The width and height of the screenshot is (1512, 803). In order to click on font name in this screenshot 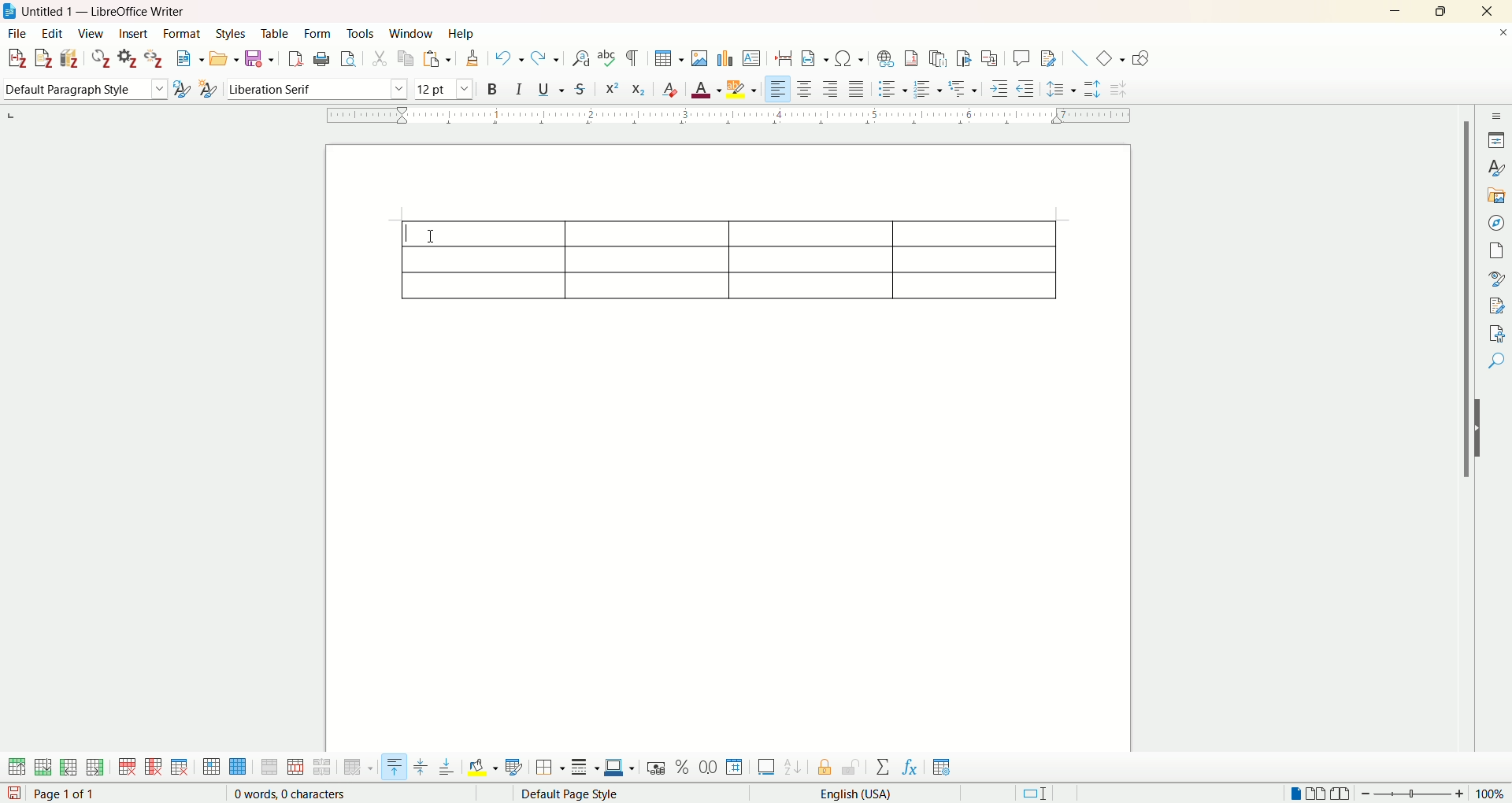, I will do `click(313, 89)`.